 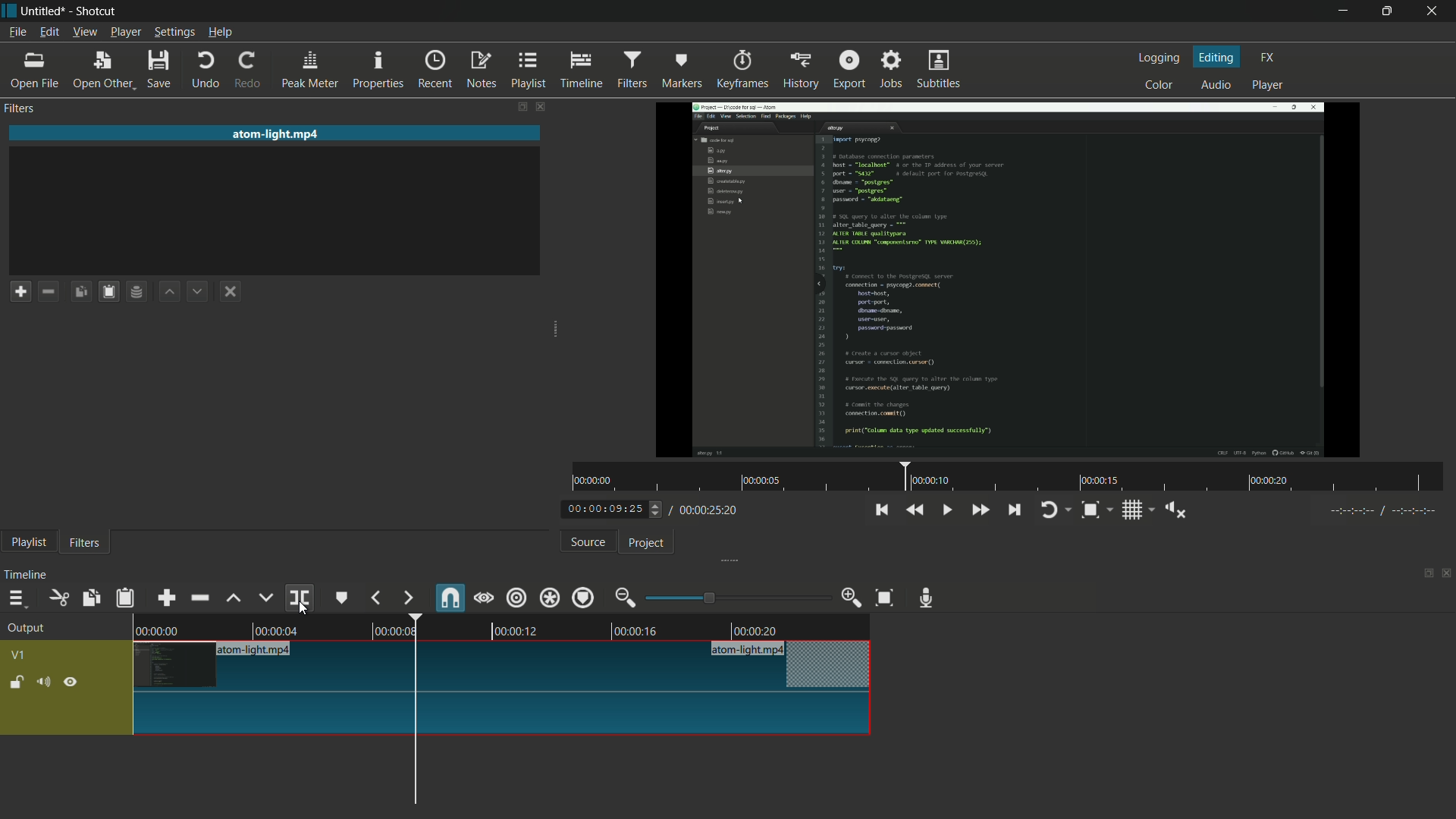 What do you see at coordinates (1390, 11) in the screenshot?
I see `maximize` at bounding box center [1390, 11].